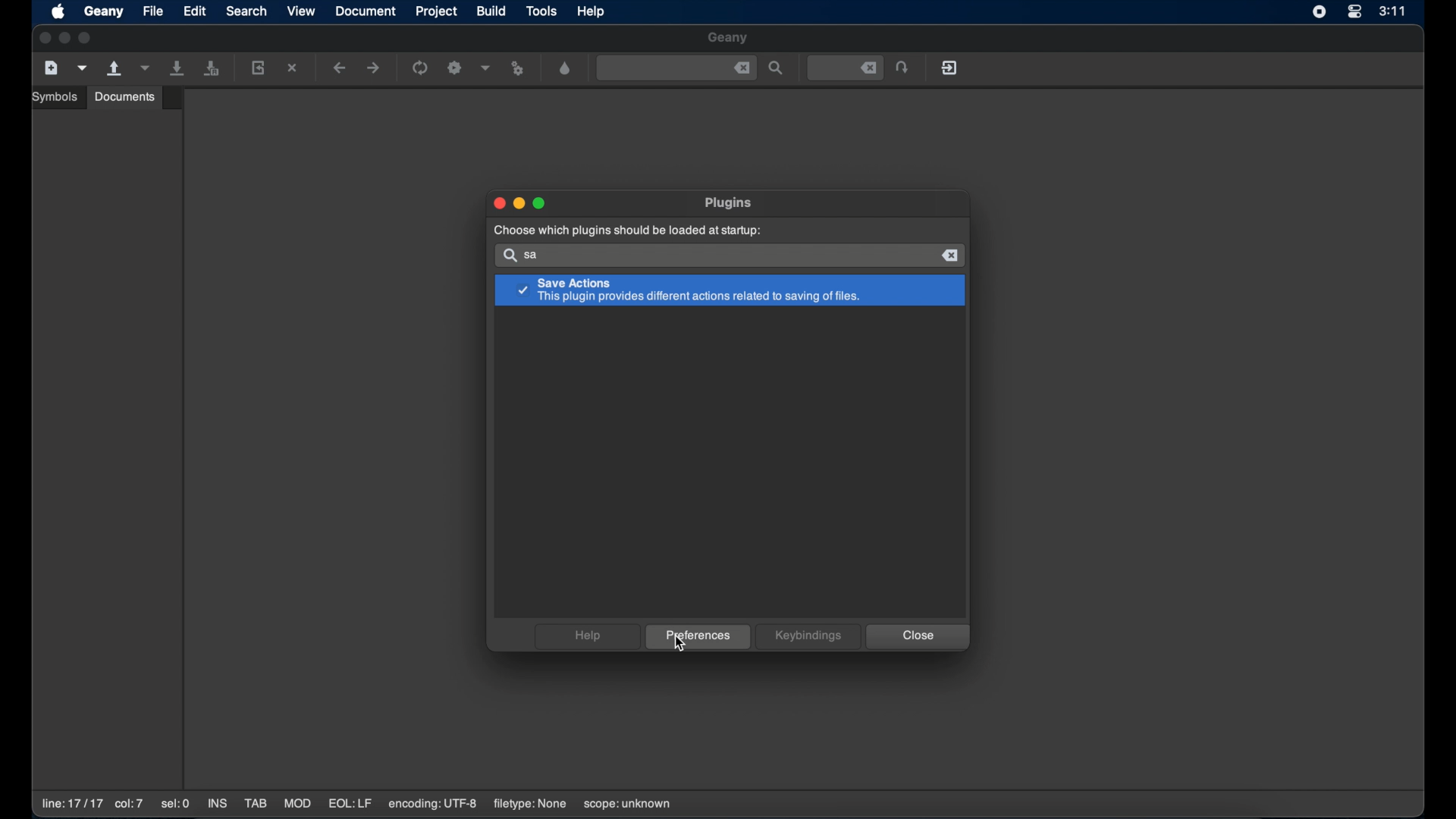 This screenshot has height=819, width=1456. What do you see at coordinates (52, 68) in the screenshot?
I see `create a new file` at bounding box center [52, 68].